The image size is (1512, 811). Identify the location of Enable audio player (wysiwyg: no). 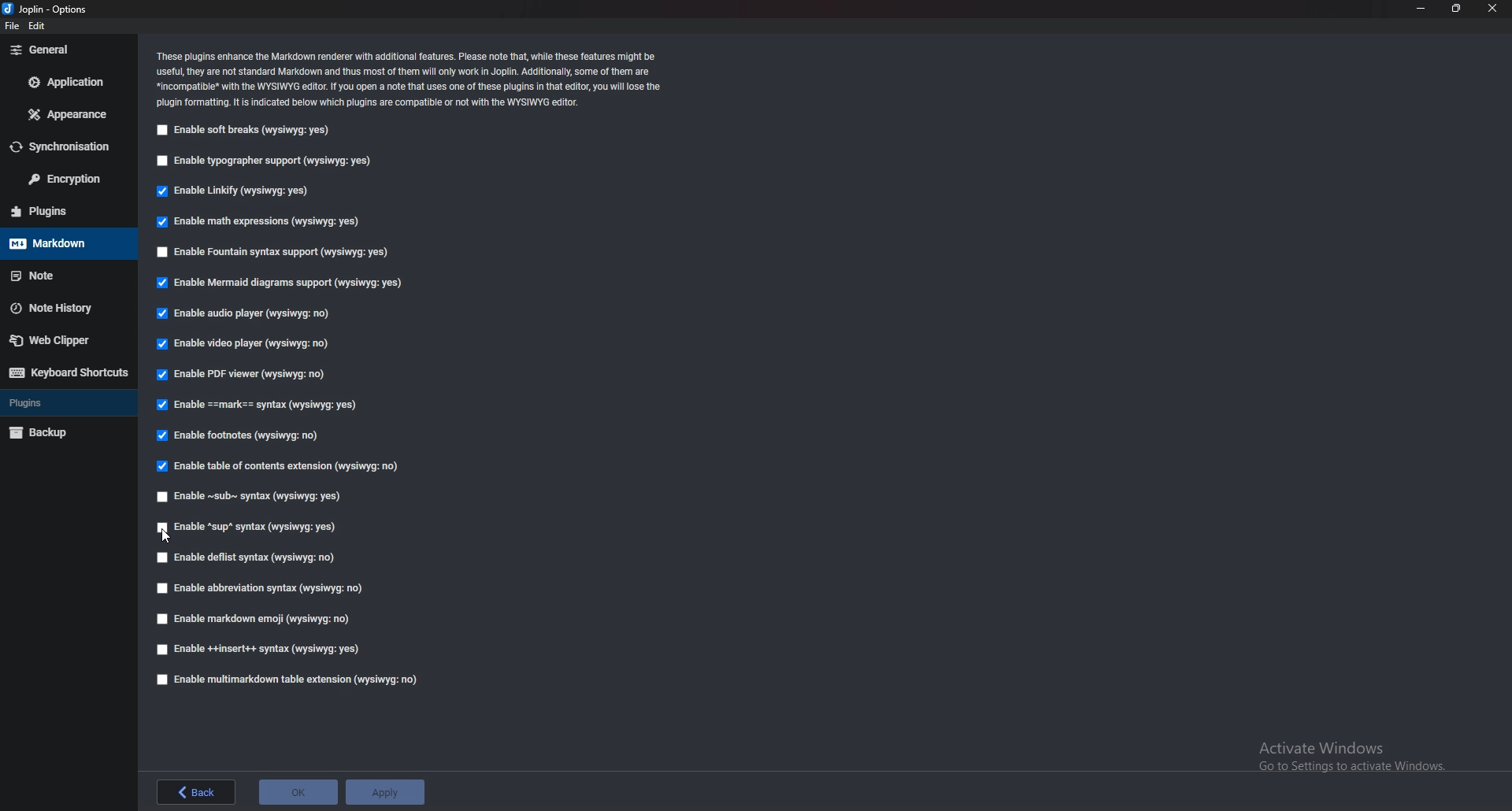
(249, 313).